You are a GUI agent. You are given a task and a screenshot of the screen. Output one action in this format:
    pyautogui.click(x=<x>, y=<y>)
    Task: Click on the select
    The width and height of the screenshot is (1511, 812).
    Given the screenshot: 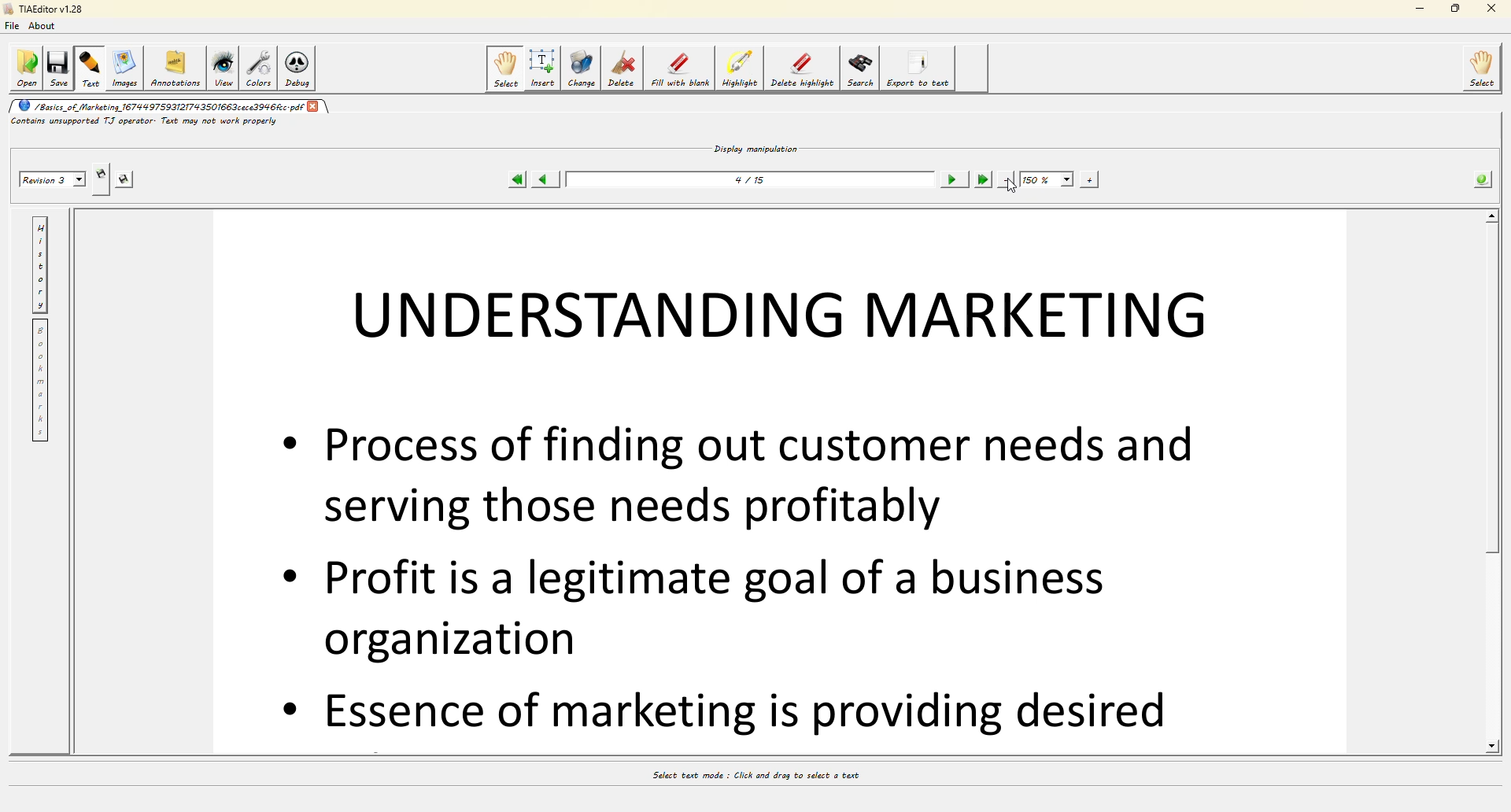 What is the action you would take?
    pyautogui.click(x=1480, y=68)
    